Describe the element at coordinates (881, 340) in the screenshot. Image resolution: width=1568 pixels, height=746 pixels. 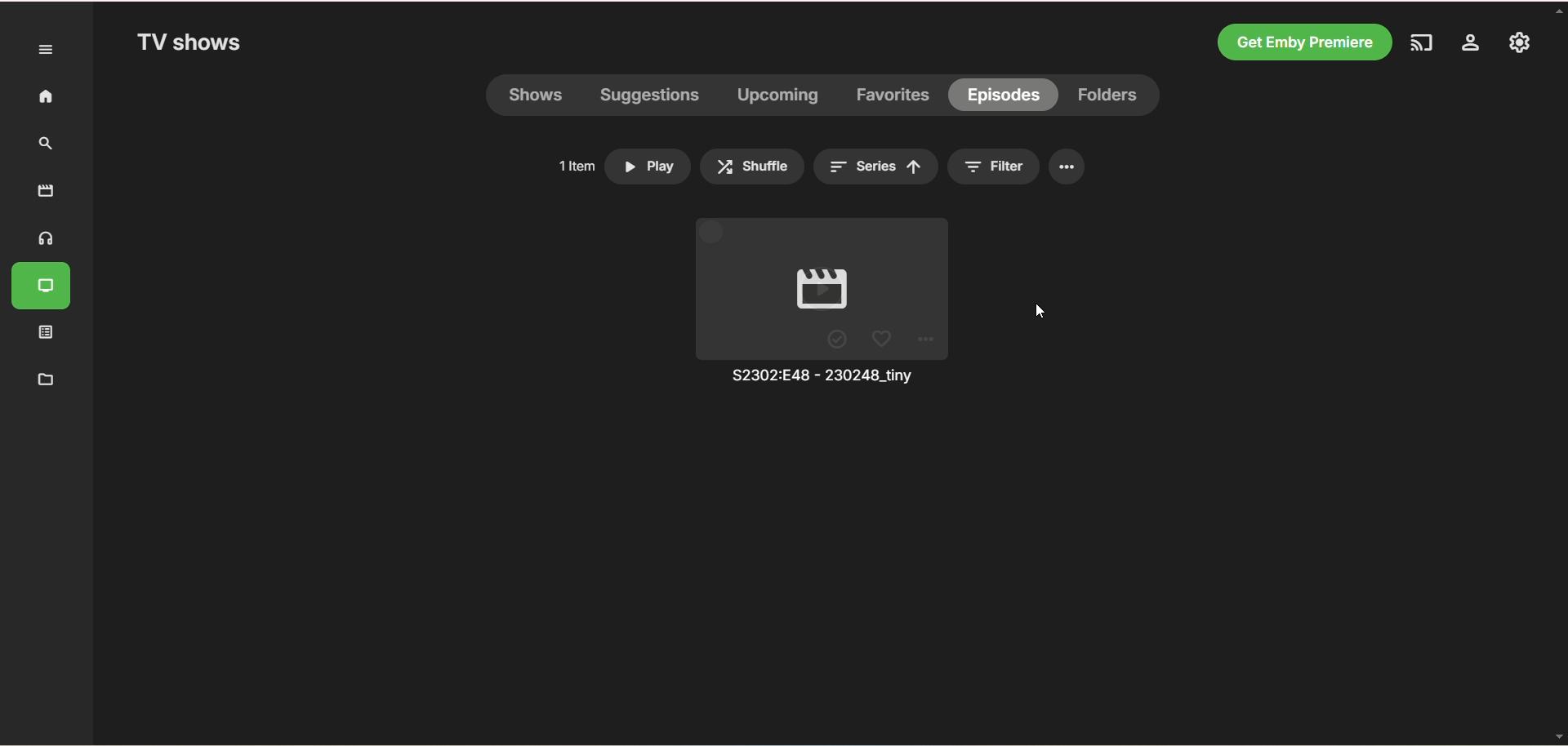
I see `favorite` at that location.